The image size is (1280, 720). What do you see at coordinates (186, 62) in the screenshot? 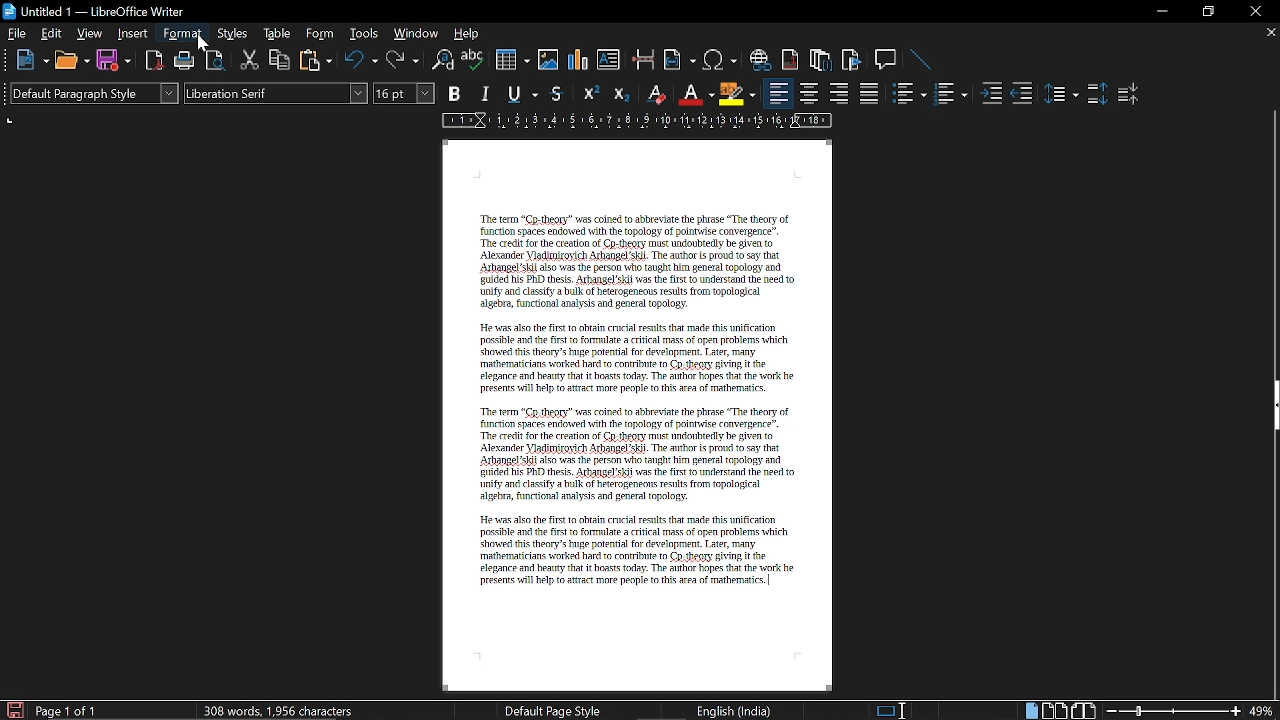
I see `Print` at bounding box center [186, 62].